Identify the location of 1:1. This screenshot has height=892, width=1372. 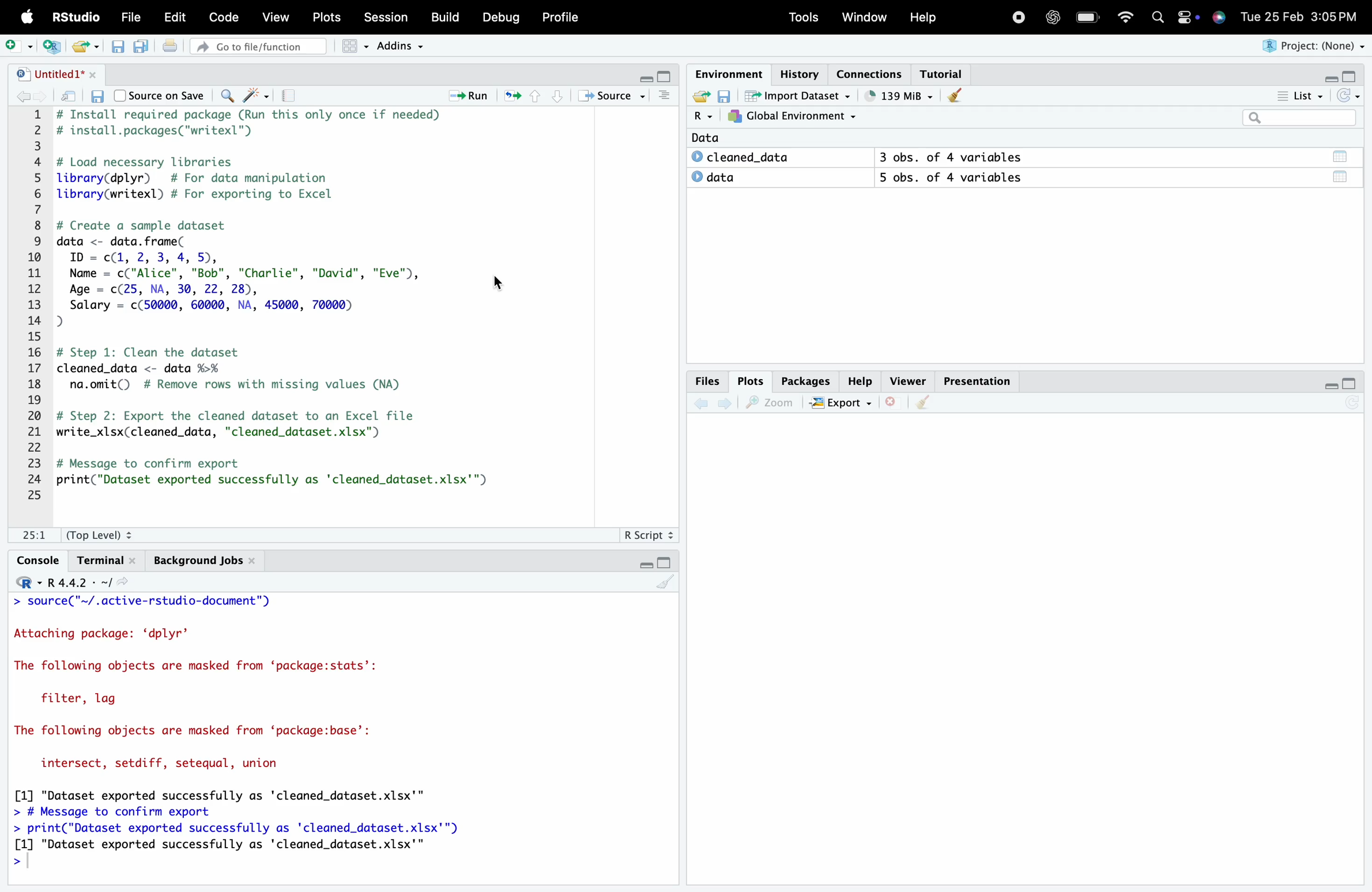
(33, 535).